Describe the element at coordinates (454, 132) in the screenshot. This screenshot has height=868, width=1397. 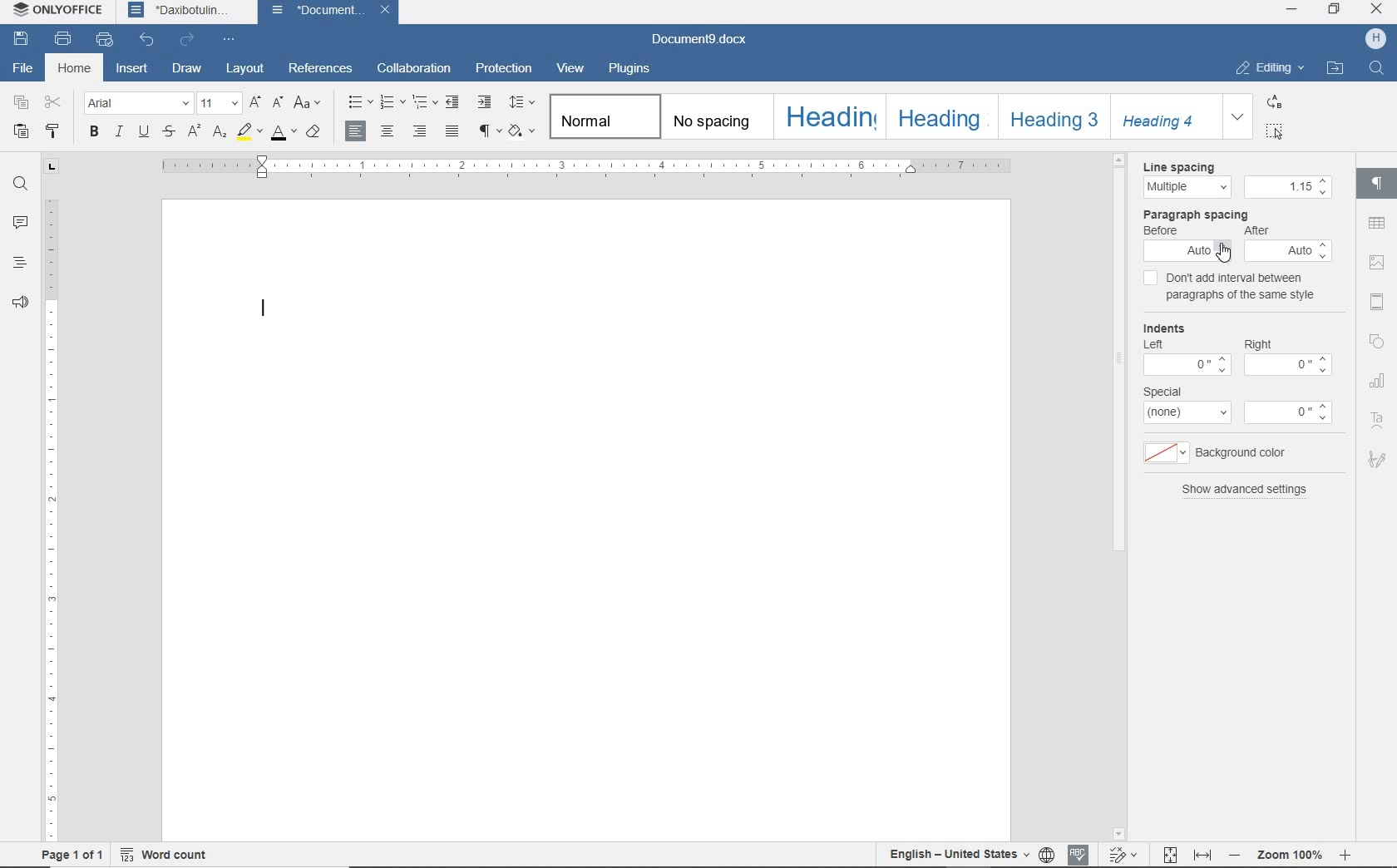
I see `justified` at that location.